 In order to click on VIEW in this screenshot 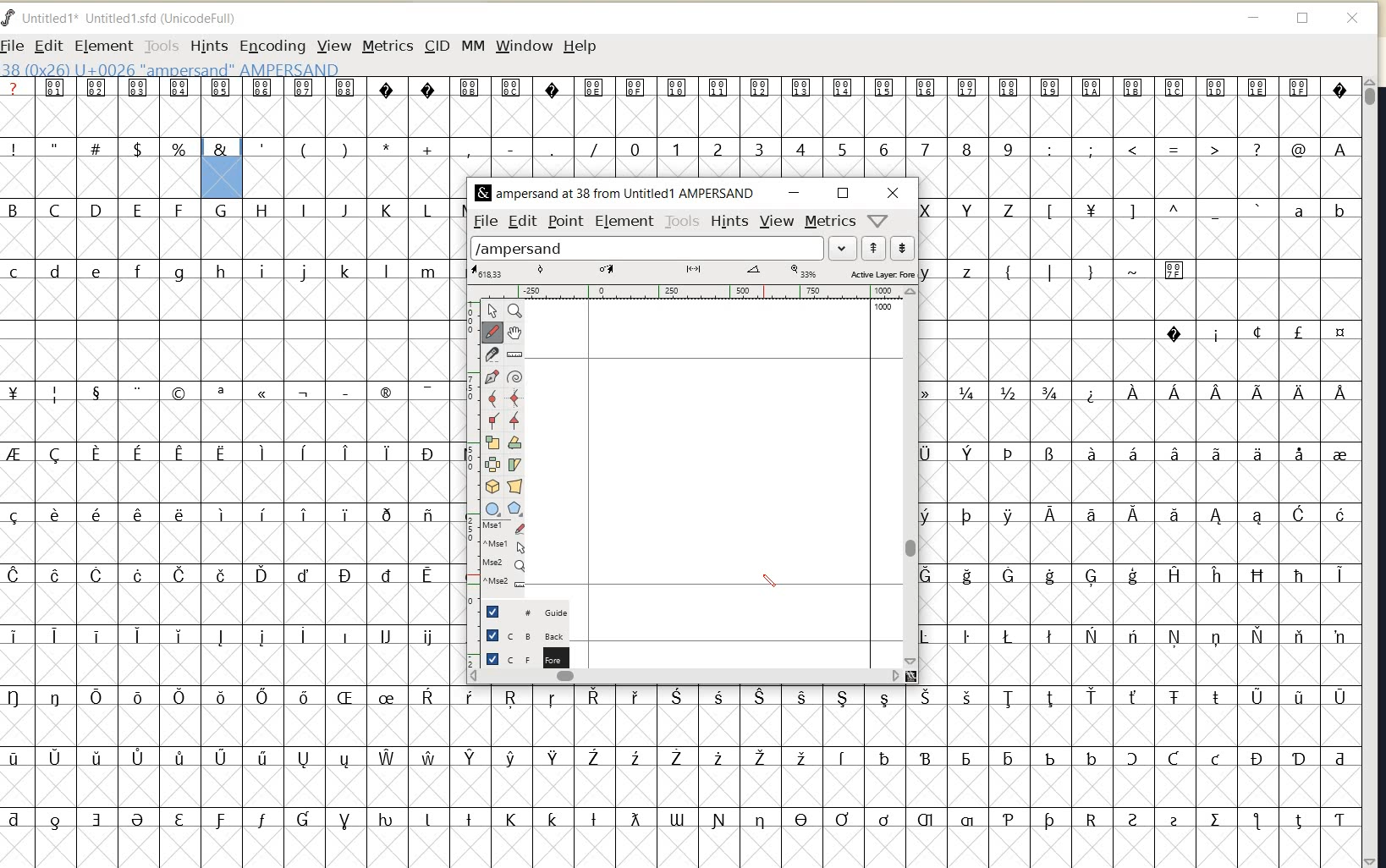, I will do `click(335, 46)`.